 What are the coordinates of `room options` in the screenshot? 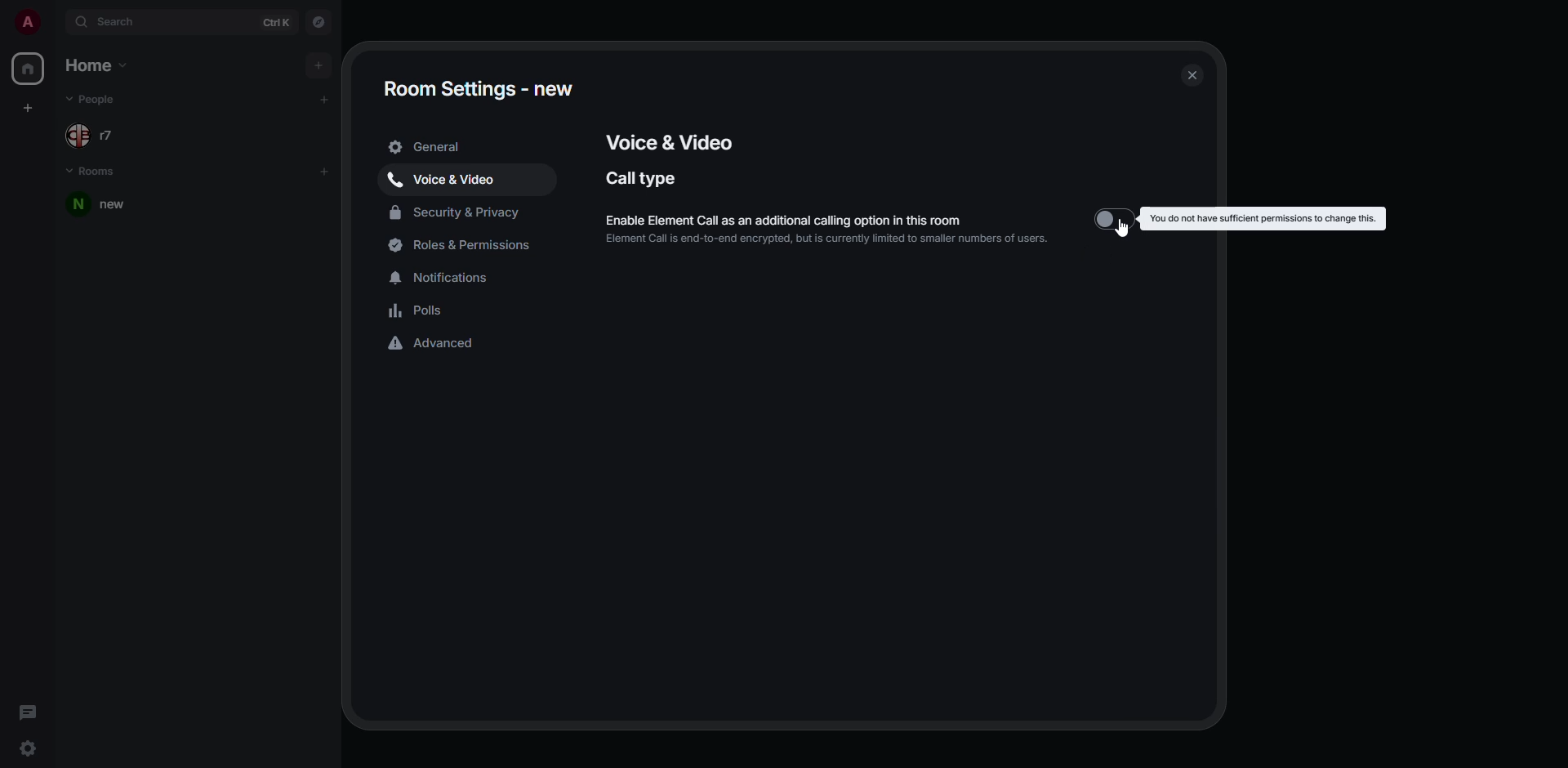 It's located at (333, 206).